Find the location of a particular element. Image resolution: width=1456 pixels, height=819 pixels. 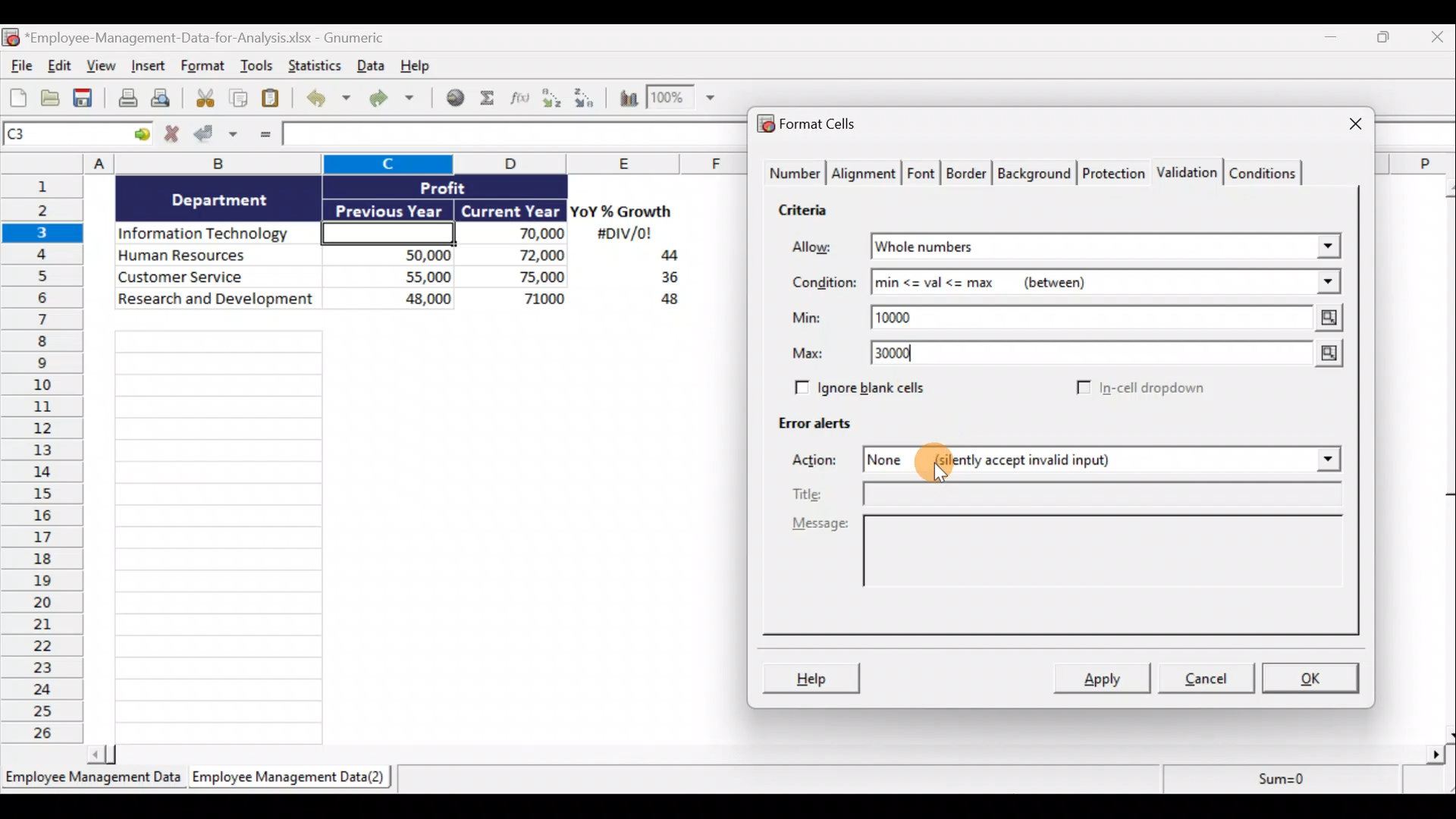

Edit a function in the current cell is located at coordinates (521, 97).